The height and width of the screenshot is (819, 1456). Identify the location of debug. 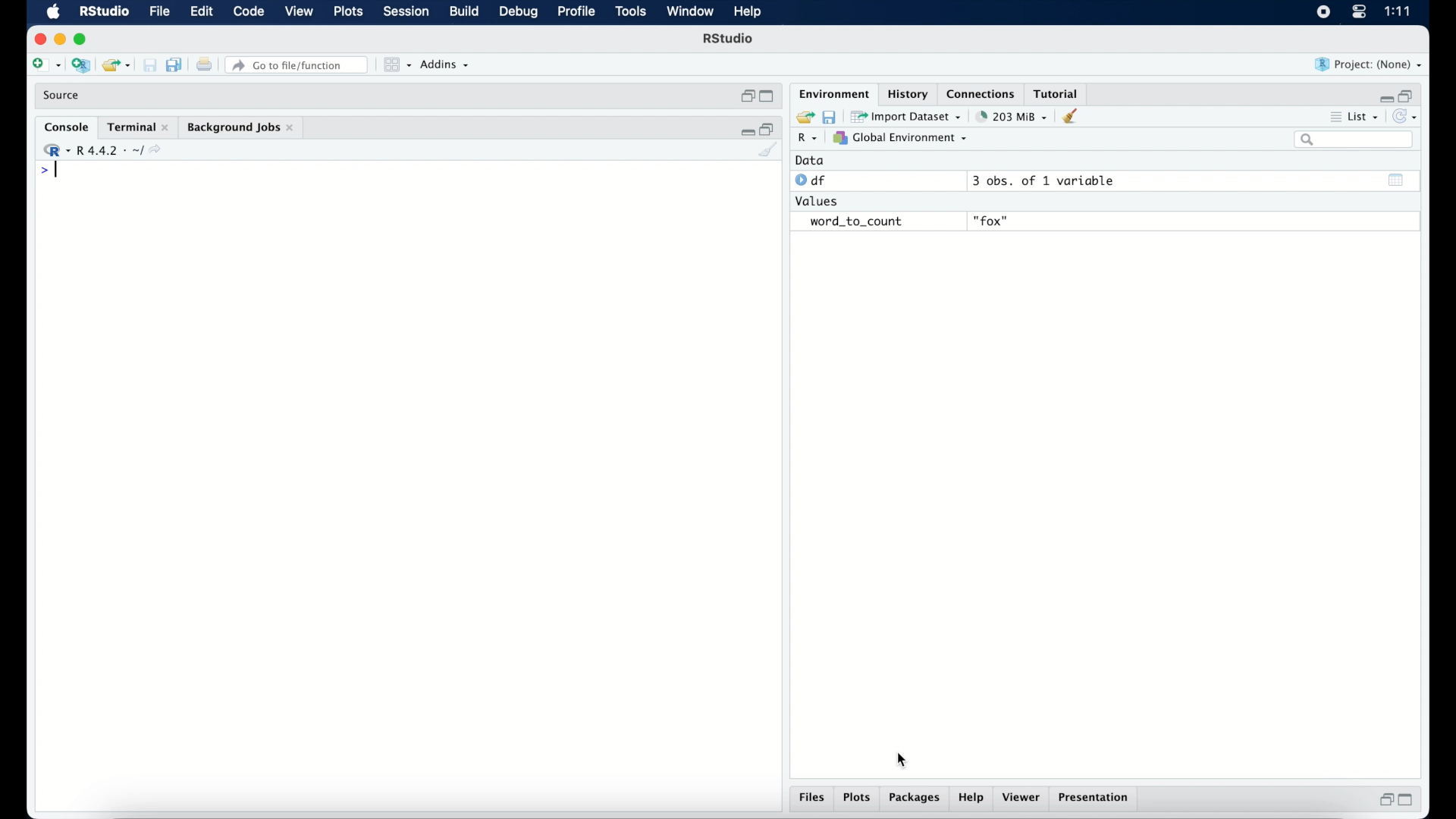
(519, 13).